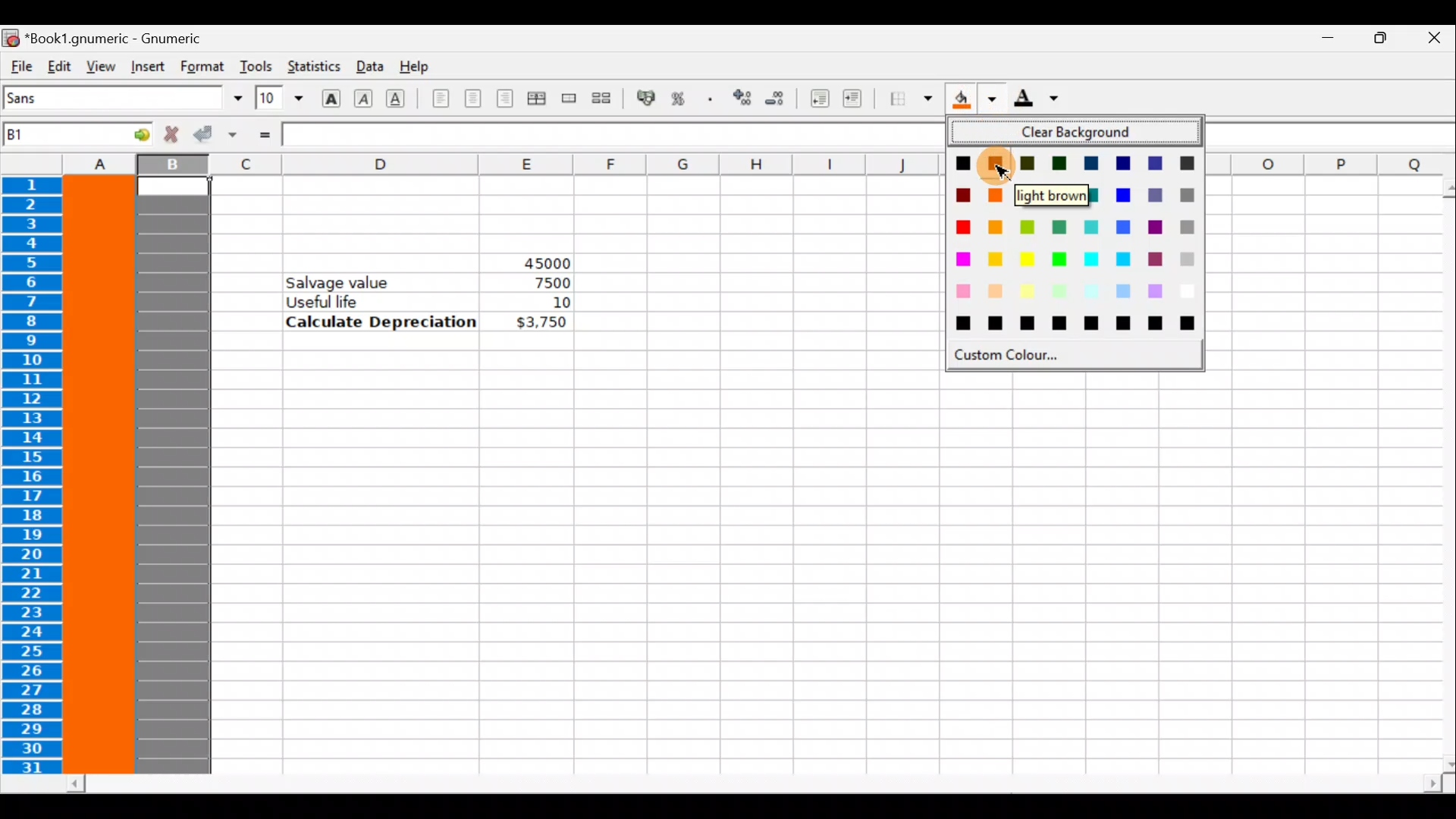  What do you see at coordinates (540, 323) in the screenshot?
I see `$3,750` at bounding box center [540, 323].